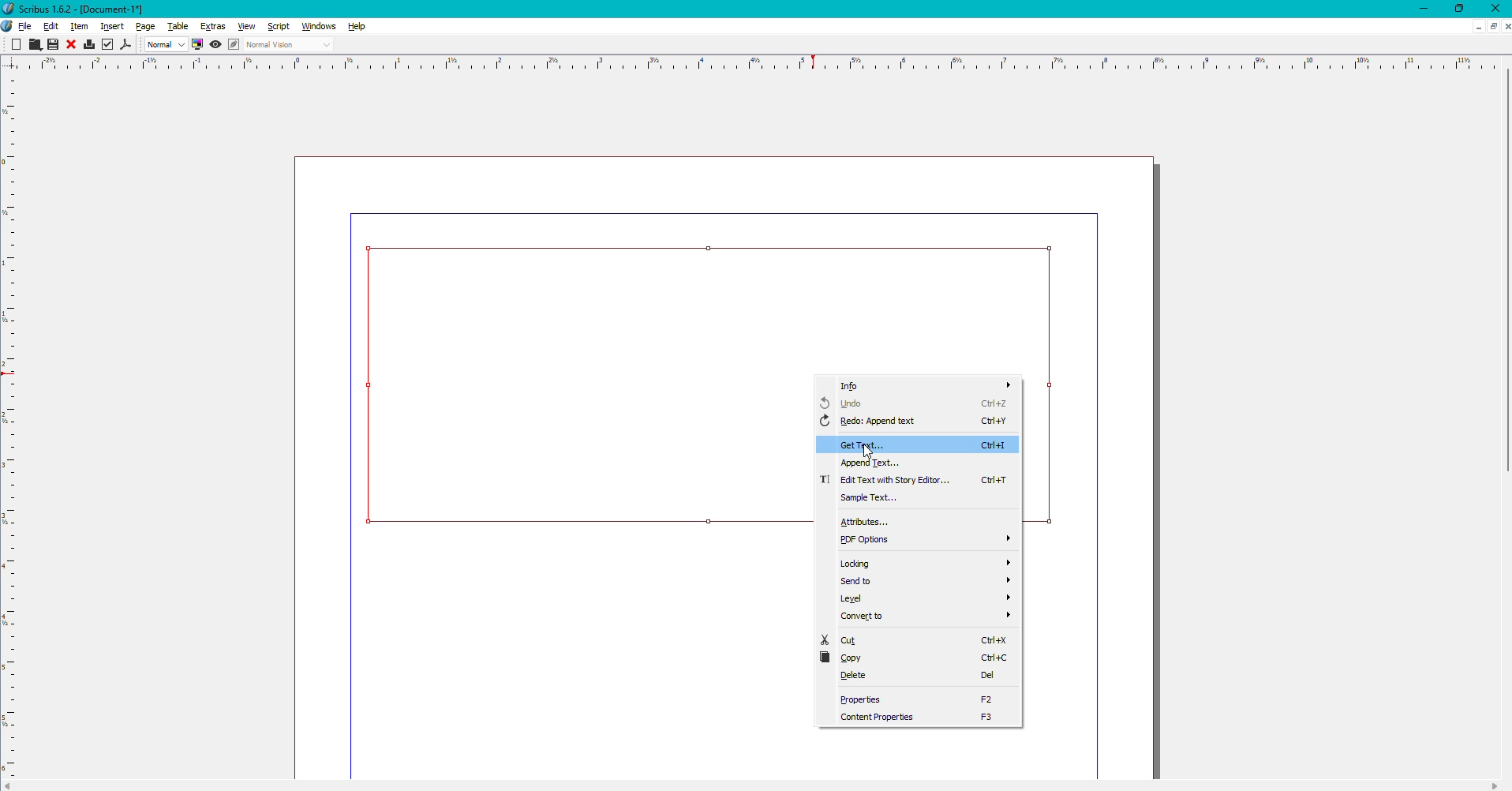 This screenshot has height=791, width=1512. I want to click on Restore, so click(1457, 9).